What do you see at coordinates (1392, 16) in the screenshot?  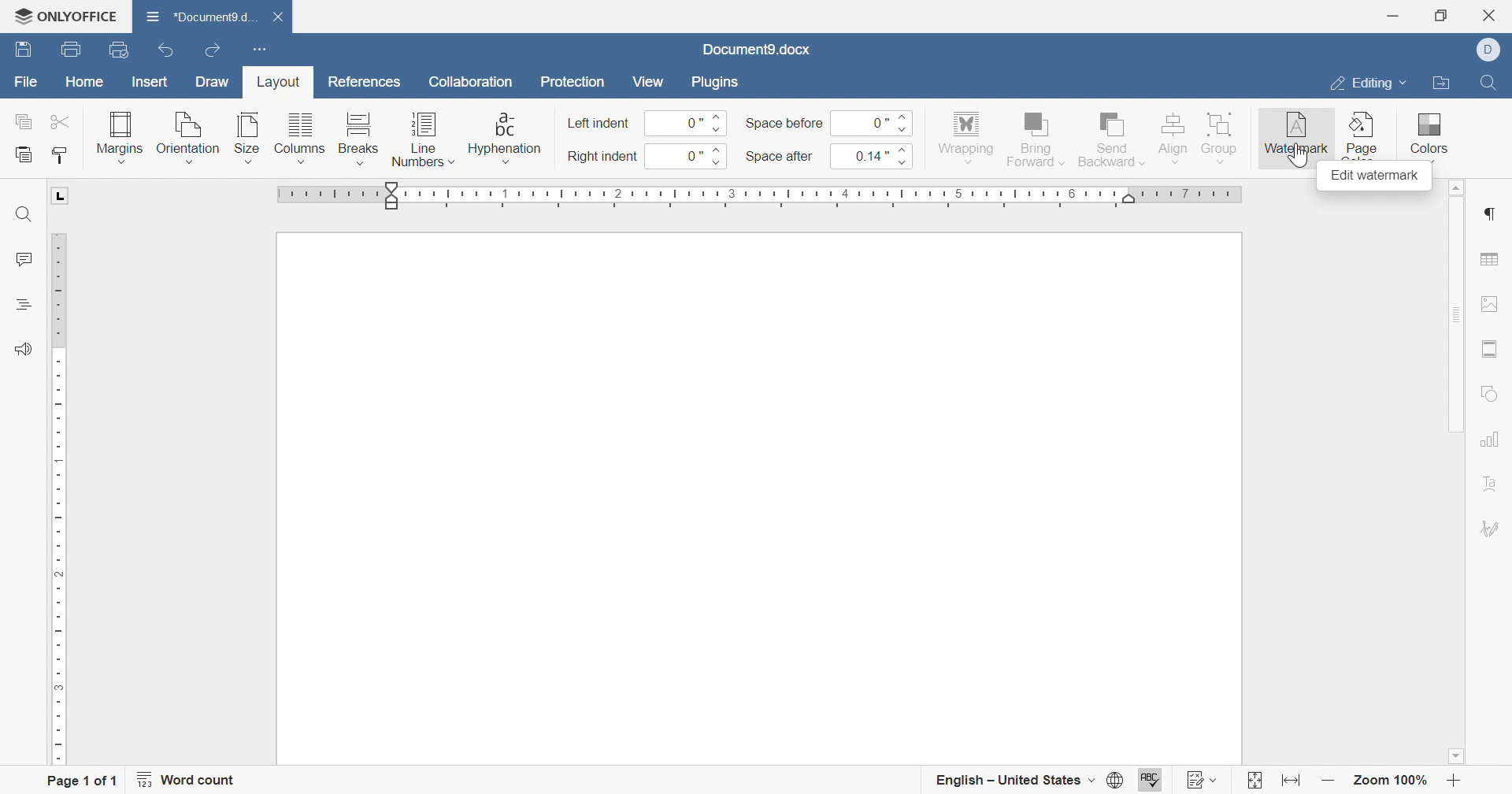 I see `minimize` at bounding box center [1392, 16].